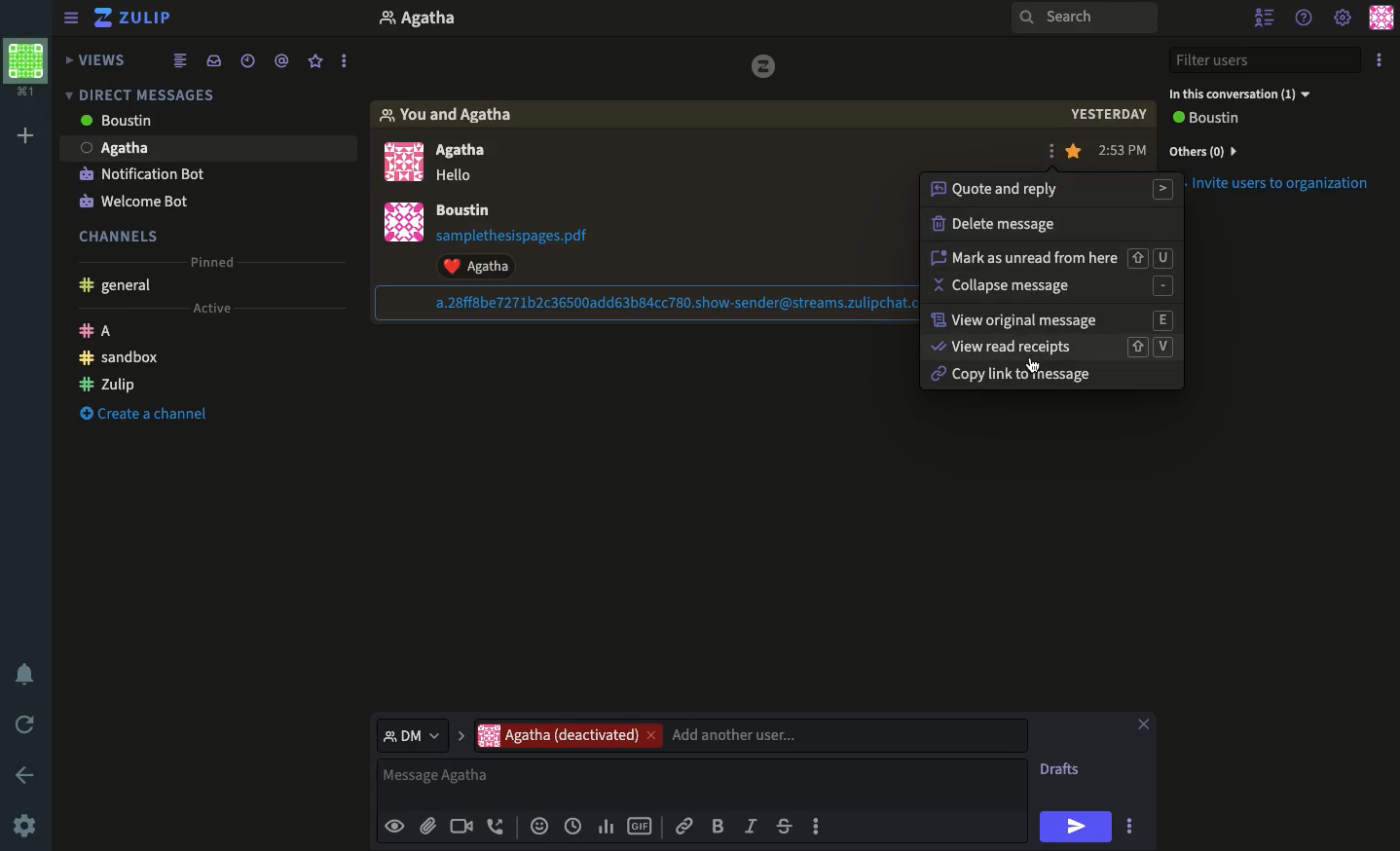  I want to click on Time, so click(1124, 153).